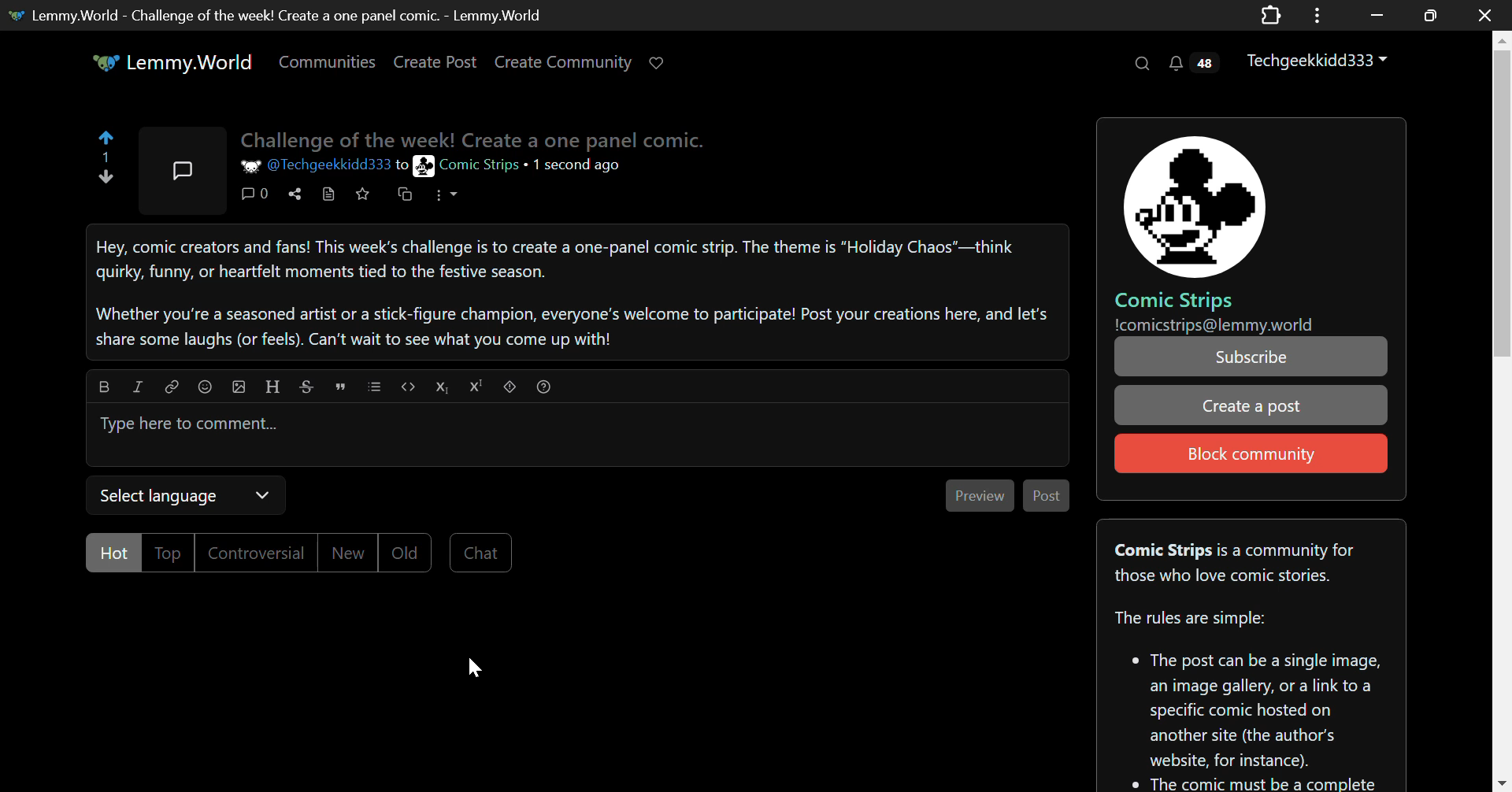 Image resolution: width=1512 pixels, height=792 pixels. Describe the element at coordinates (176, 168) in the screenshot. I see `Community Post Icon` at that location.